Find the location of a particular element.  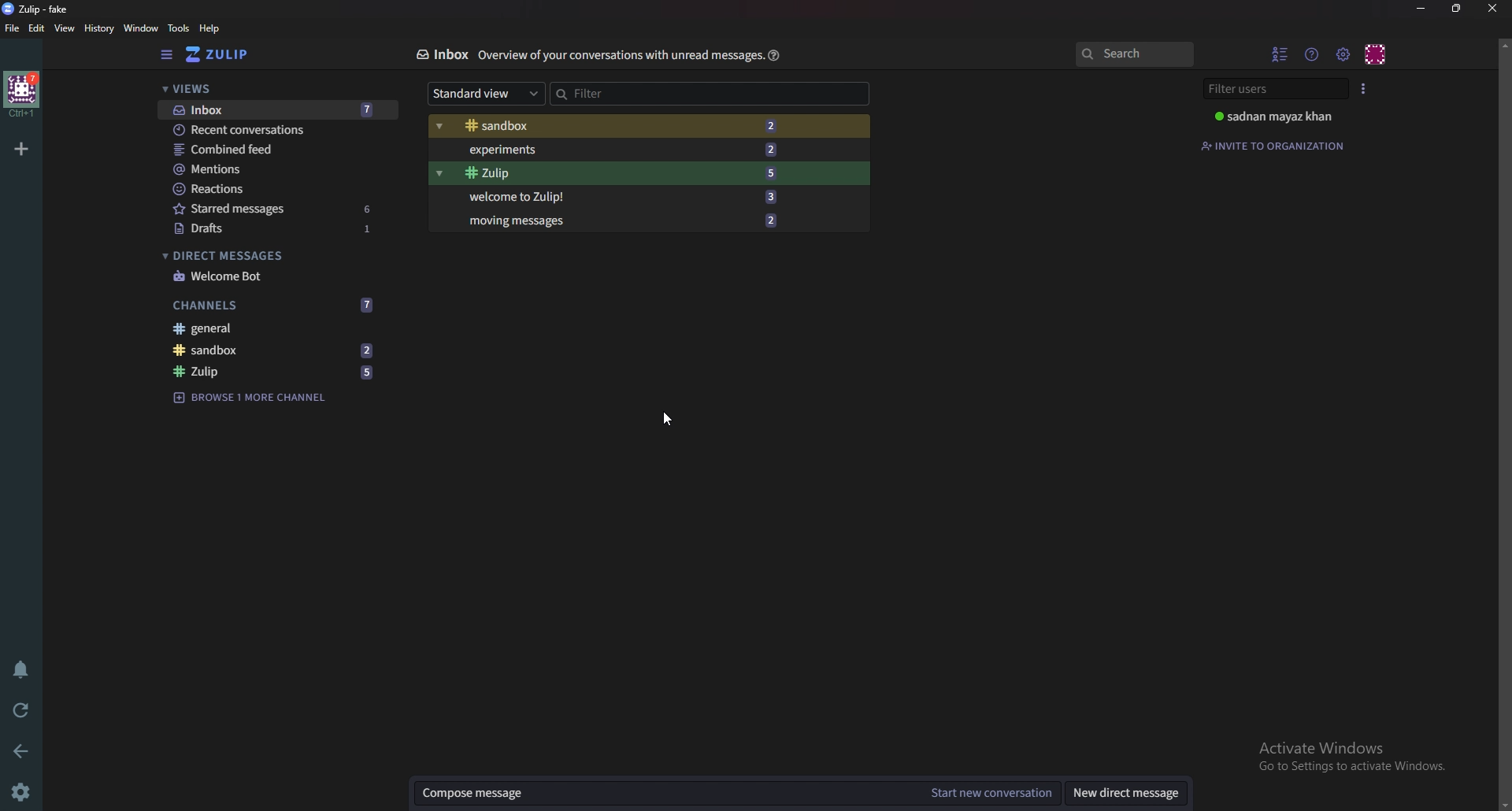

2 is located at coordinates (774, 220).